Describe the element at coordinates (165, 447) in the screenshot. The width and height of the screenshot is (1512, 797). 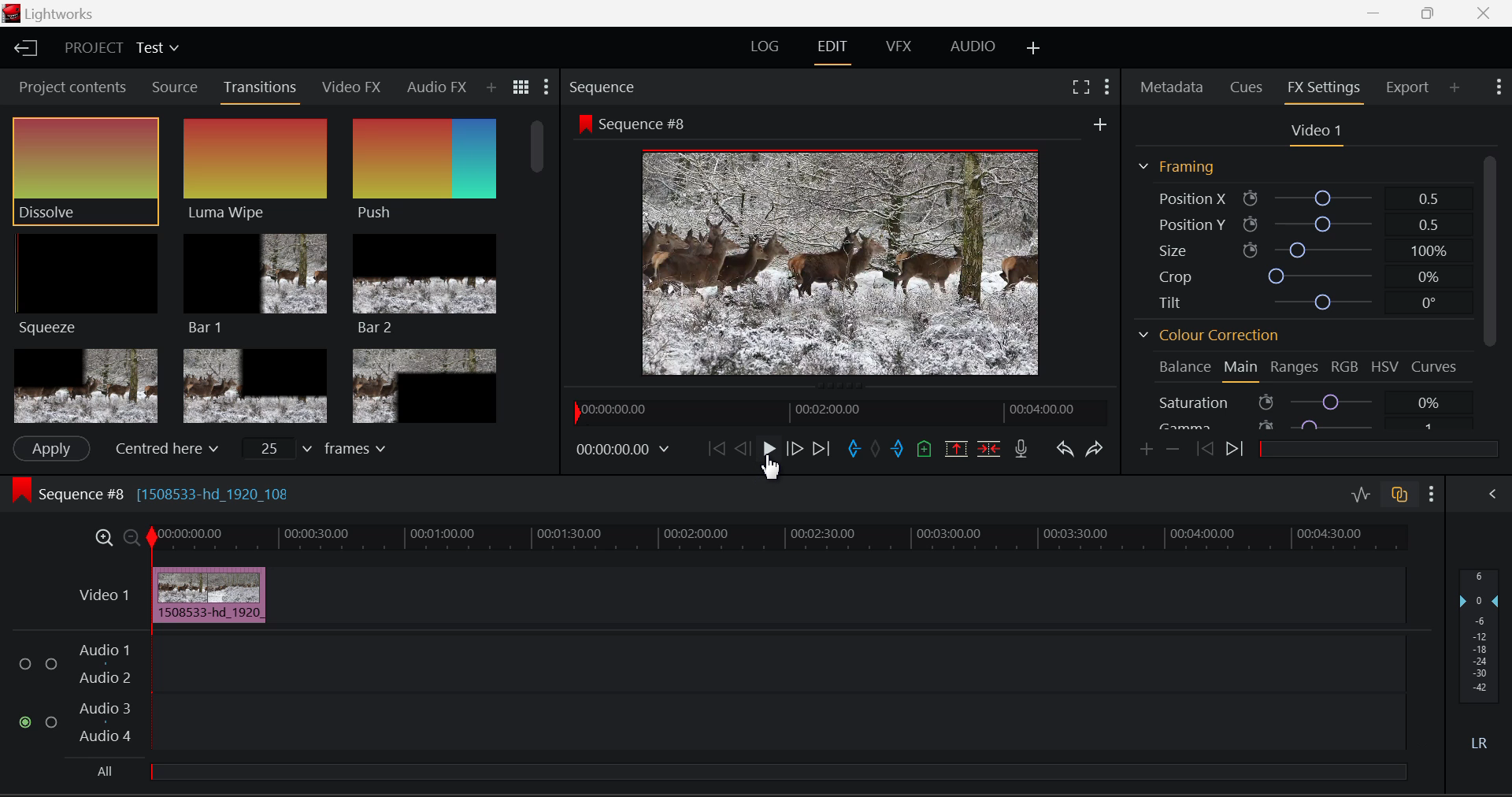
I see `Centered here` at that location.